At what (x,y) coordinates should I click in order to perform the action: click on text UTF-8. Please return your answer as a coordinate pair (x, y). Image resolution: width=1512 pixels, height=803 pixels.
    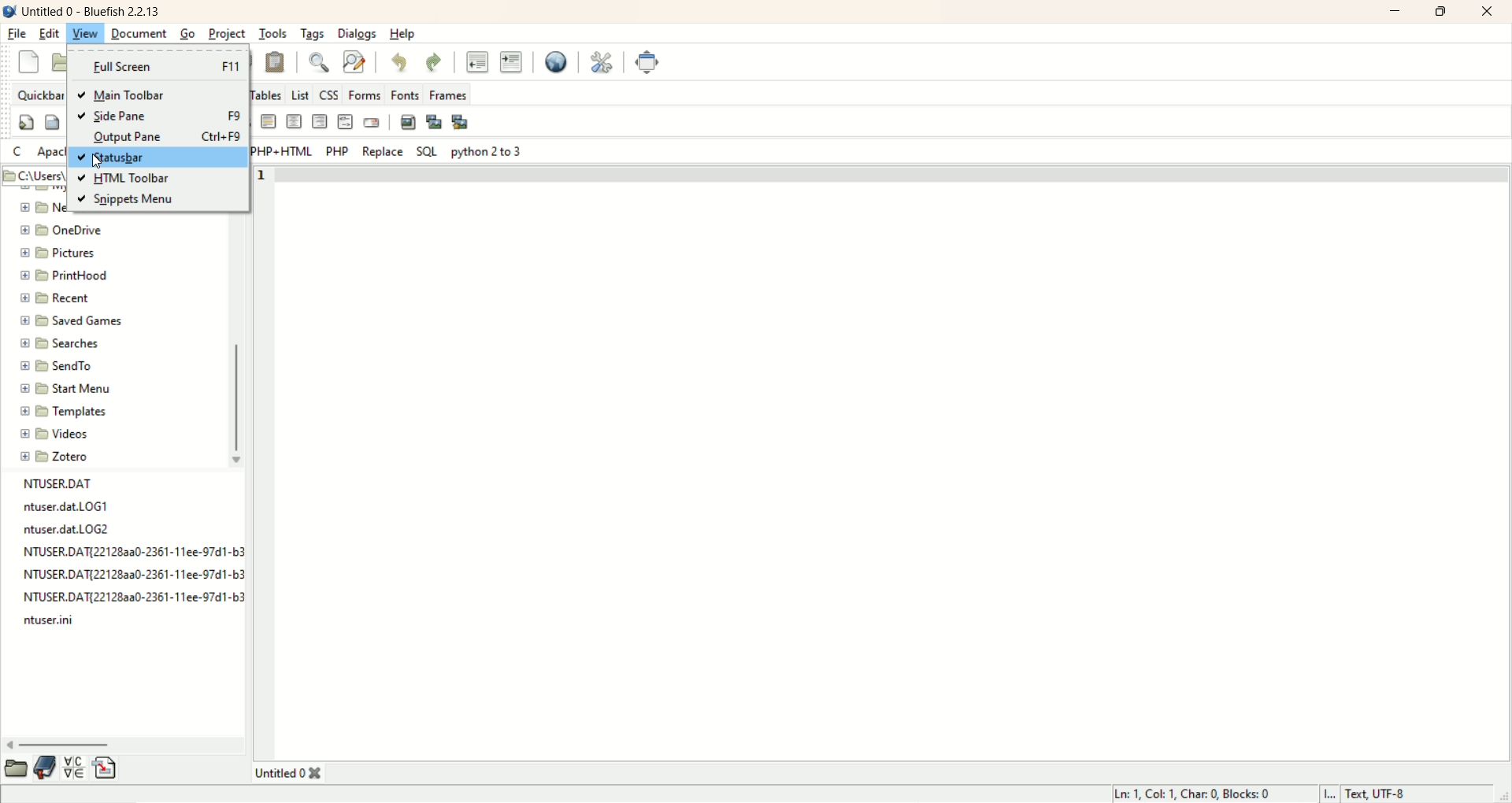
    Looking at the image, I should click on (1417, 794).